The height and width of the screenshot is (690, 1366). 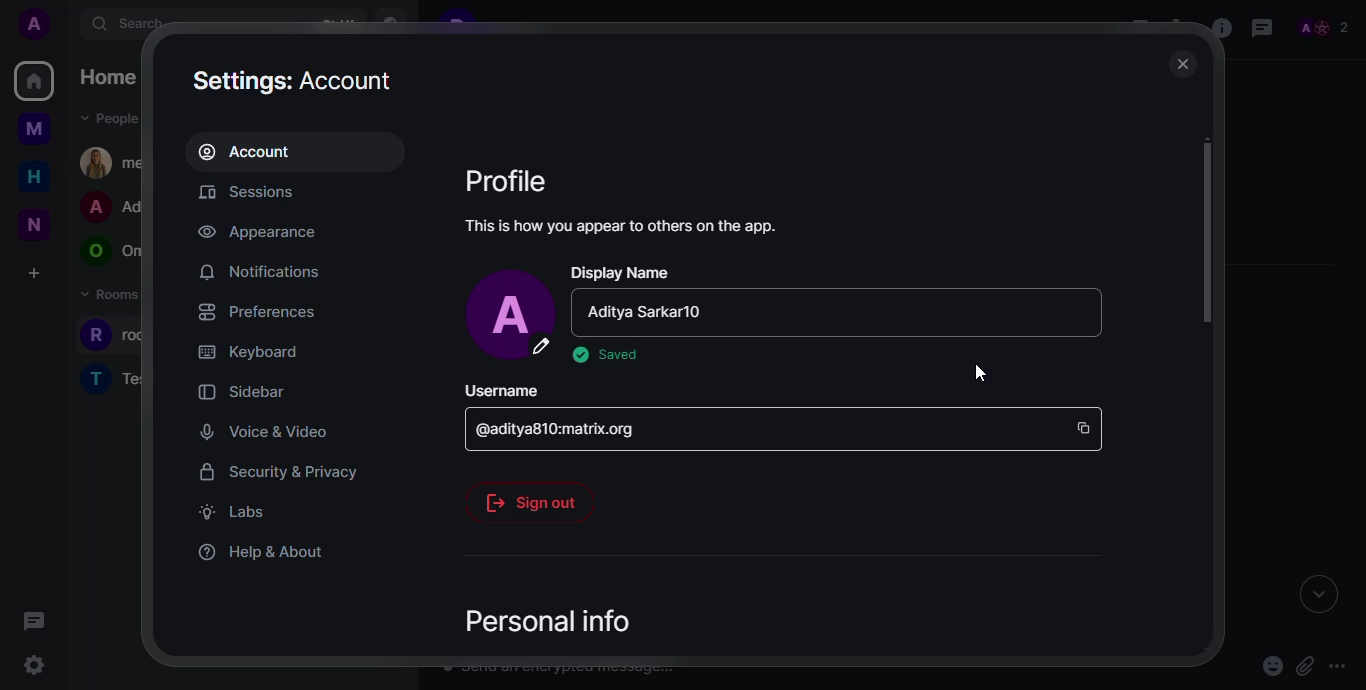 I want to click on close, so click(x=1181, y=64).